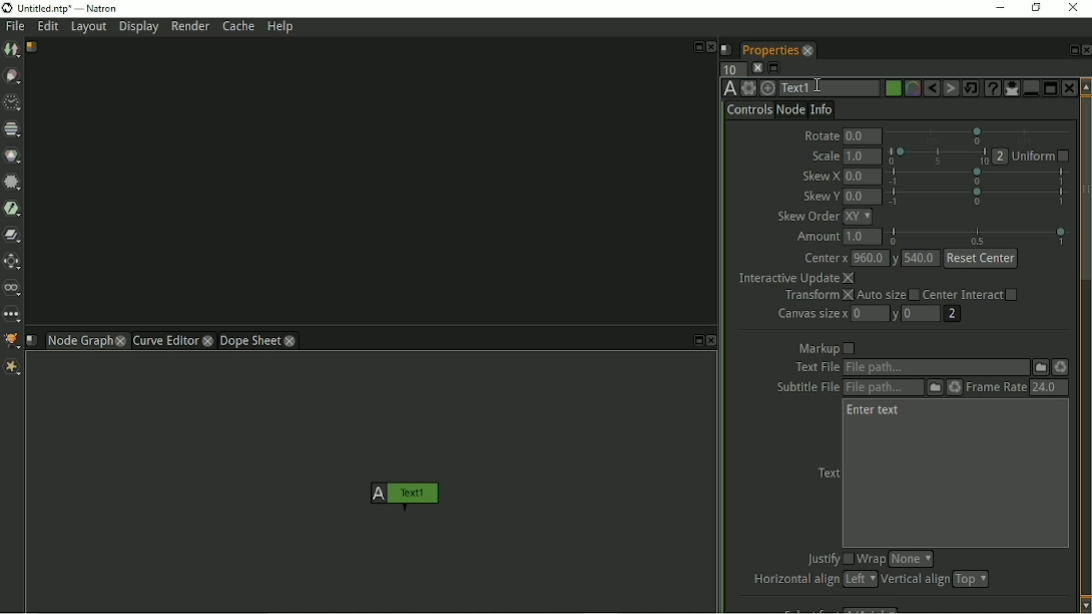 Image resolution: width=1092 pixels, height=614 pixels. I want to click on Scale, so click(823, 156).